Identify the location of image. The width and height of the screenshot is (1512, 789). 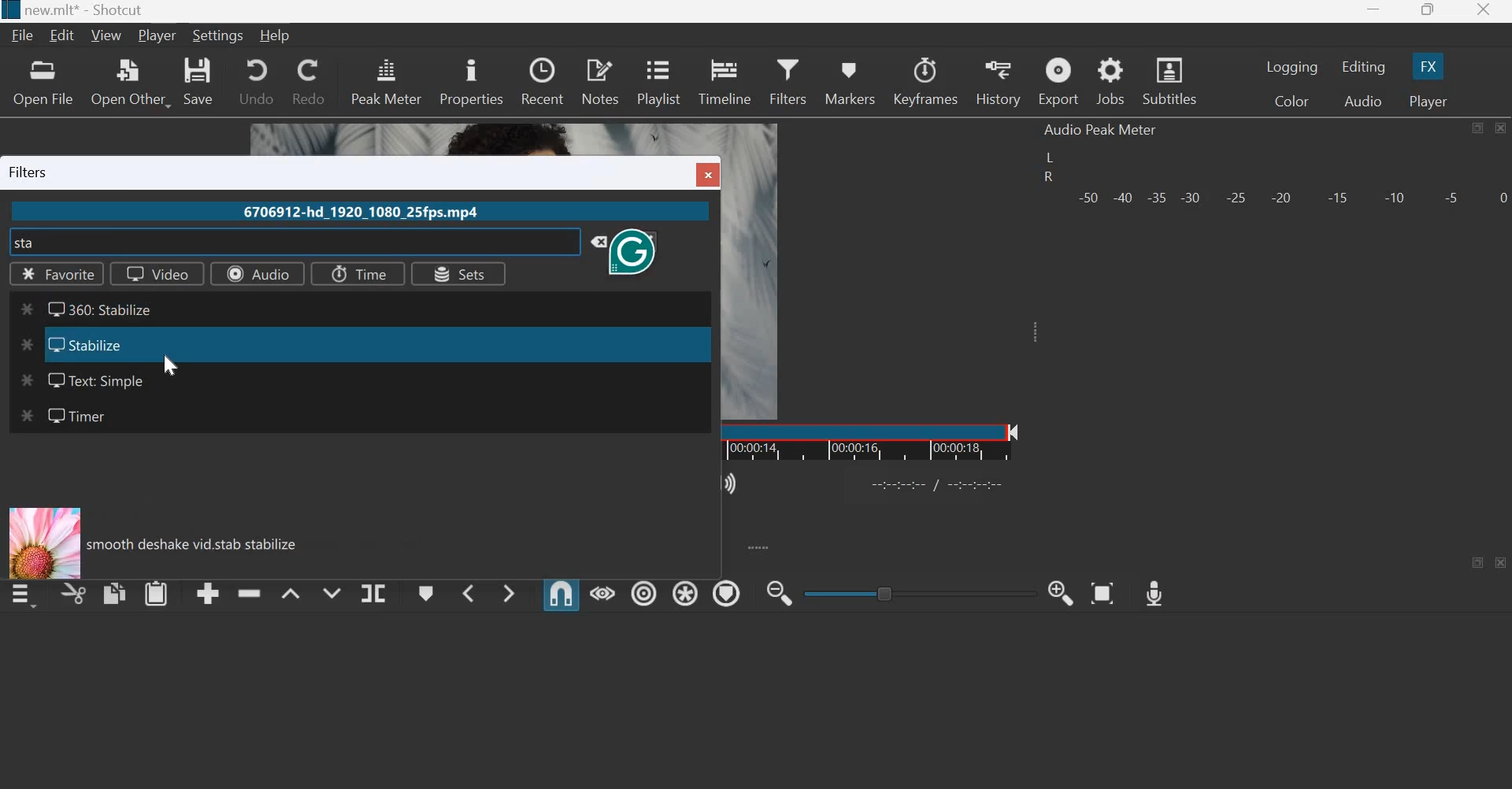
(44, 543).